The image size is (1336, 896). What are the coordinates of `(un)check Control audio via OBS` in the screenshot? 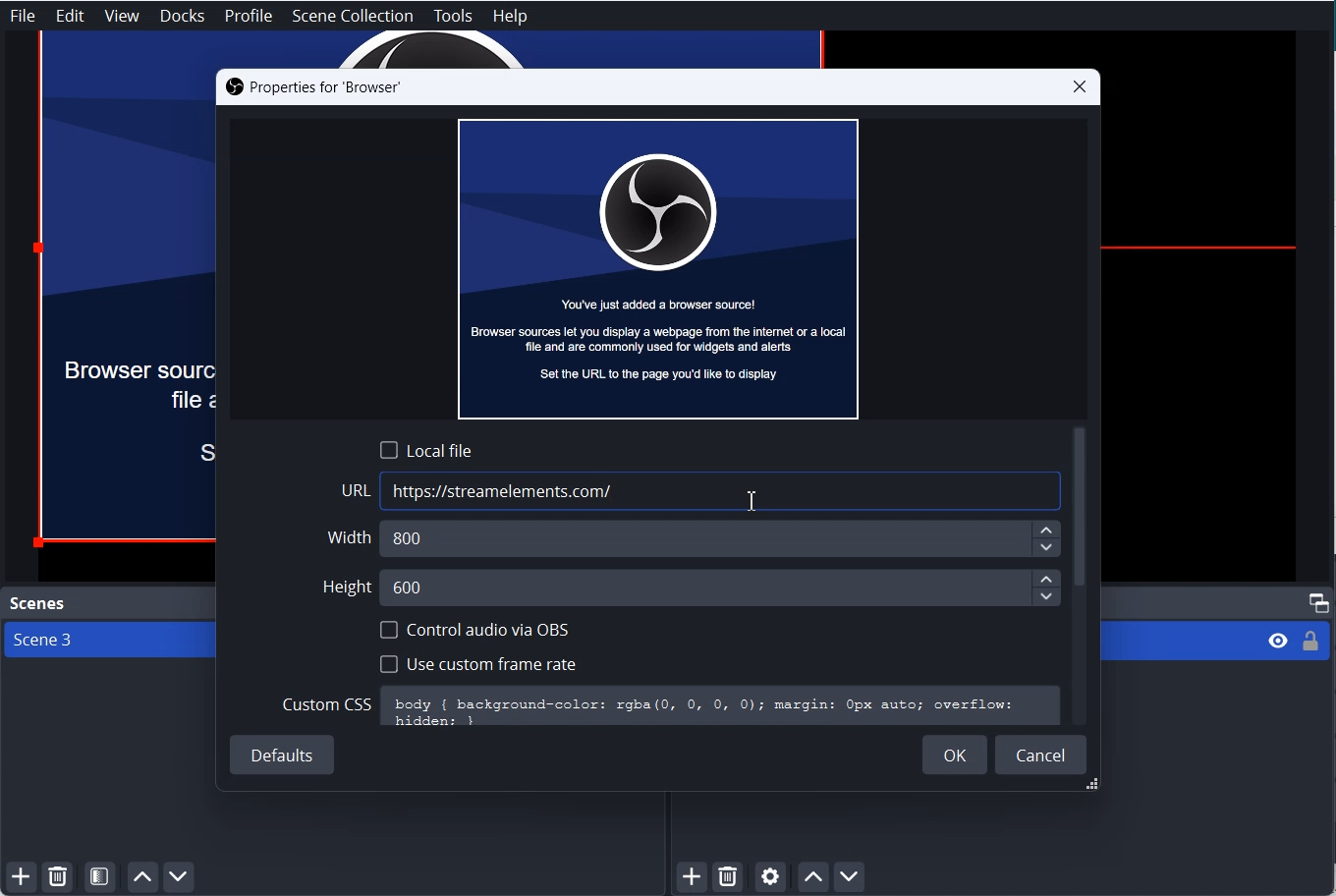 It's located at (475, 630).